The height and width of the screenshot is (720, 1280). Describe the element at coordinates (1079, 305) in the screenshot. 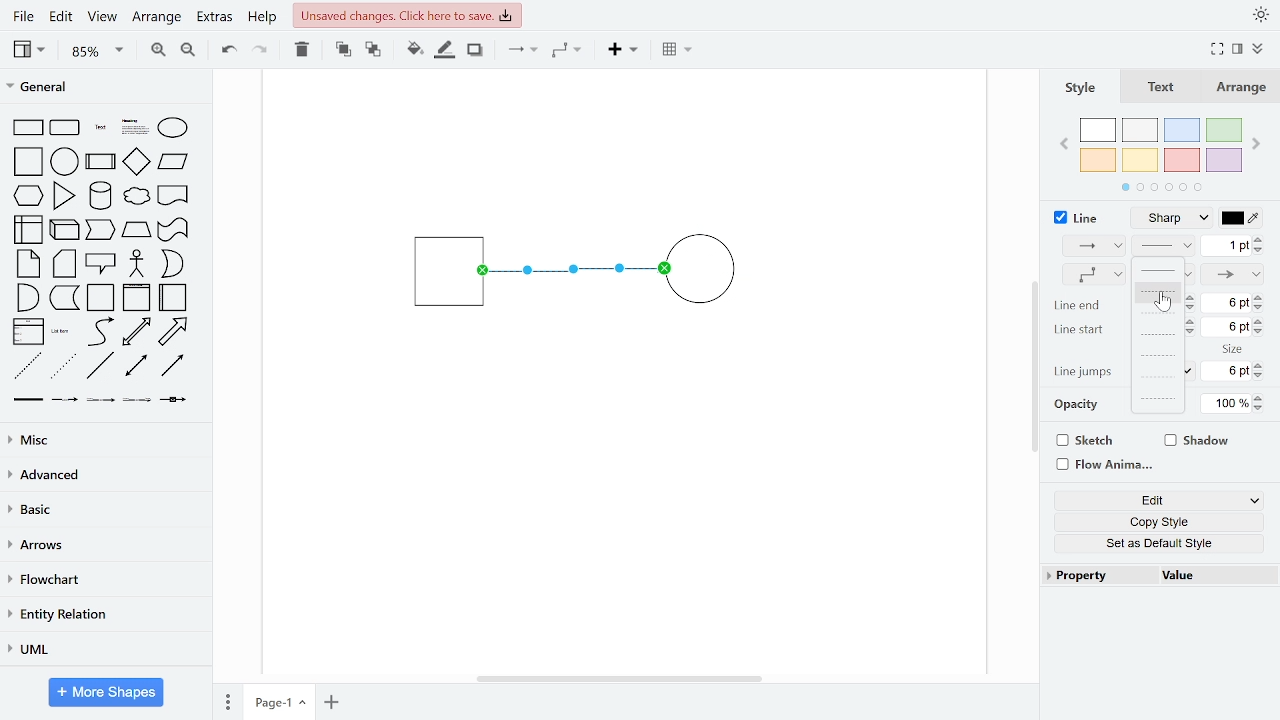

I see `line end` at that location.